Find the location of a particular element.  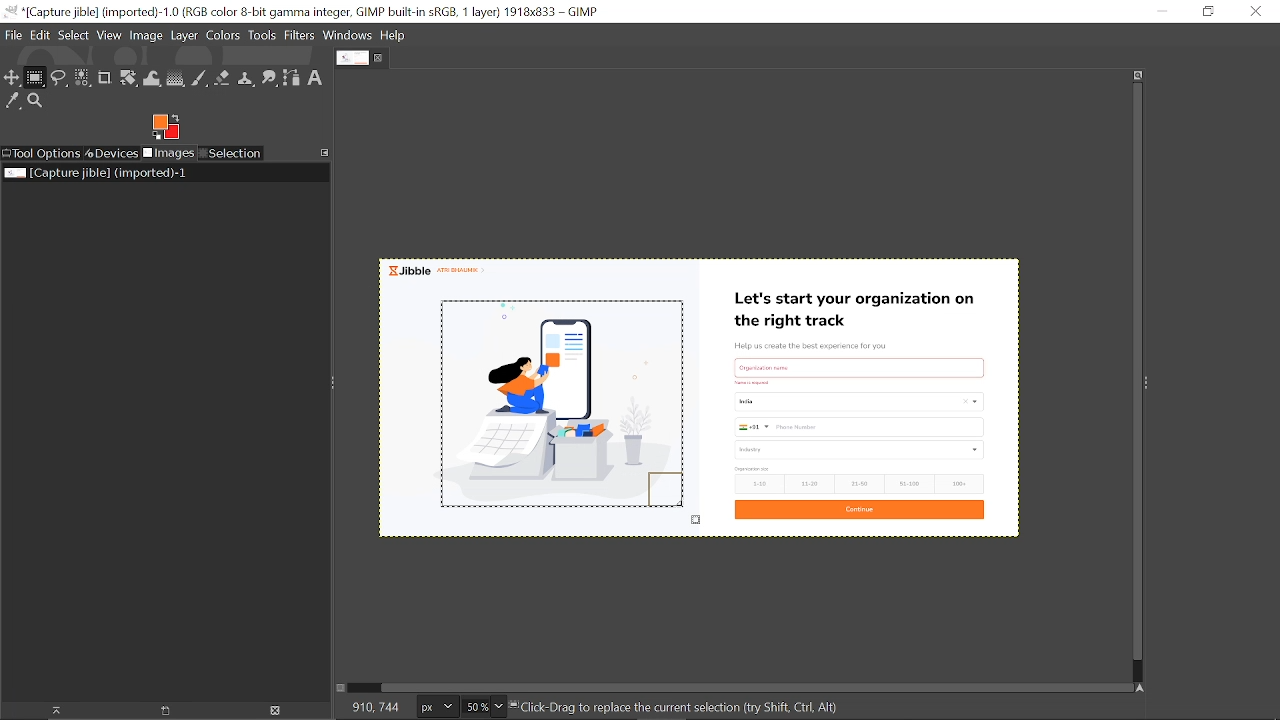

Phone Number is located at coordinates (858, 427).